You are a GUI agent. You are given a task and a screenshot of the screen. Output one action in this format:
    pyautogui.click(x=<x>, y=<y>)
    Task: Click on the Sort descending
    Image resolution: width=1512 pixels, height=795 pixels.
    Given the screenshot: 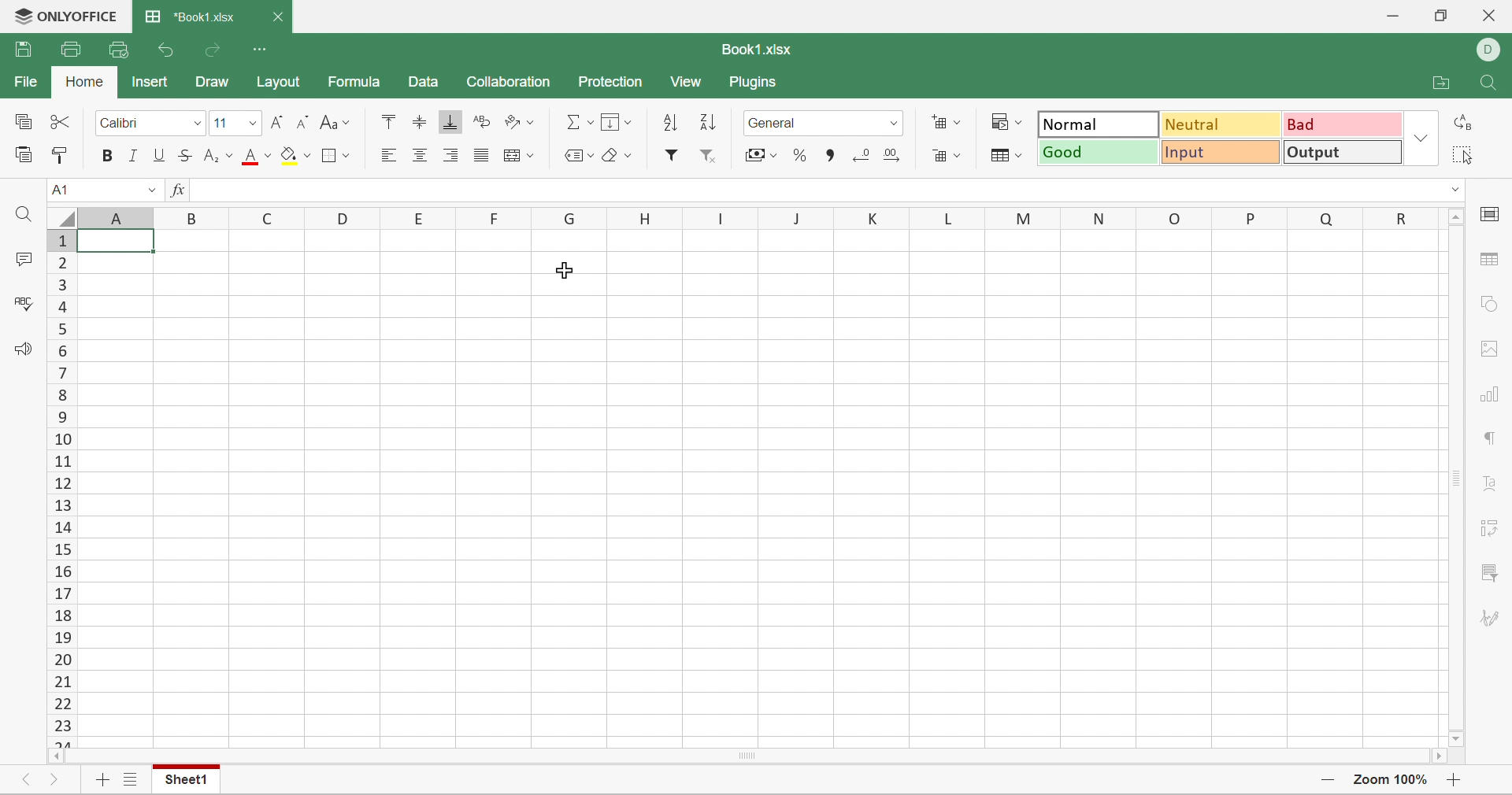 What is the action you would take?
    pyautogui.click(x=706, y=121)
    